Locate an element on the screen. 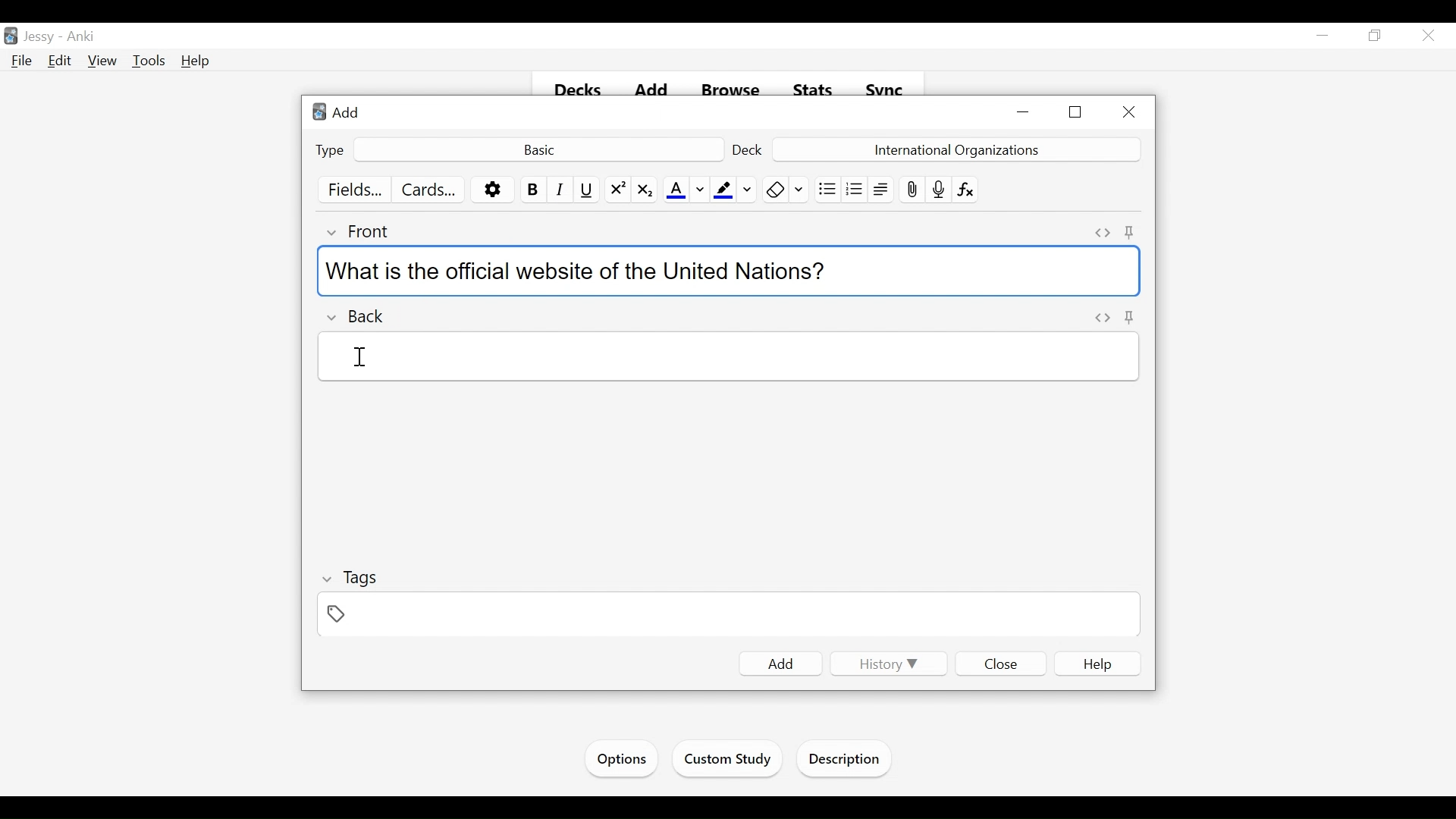  Deck Name is located at coordinates (955, 149).